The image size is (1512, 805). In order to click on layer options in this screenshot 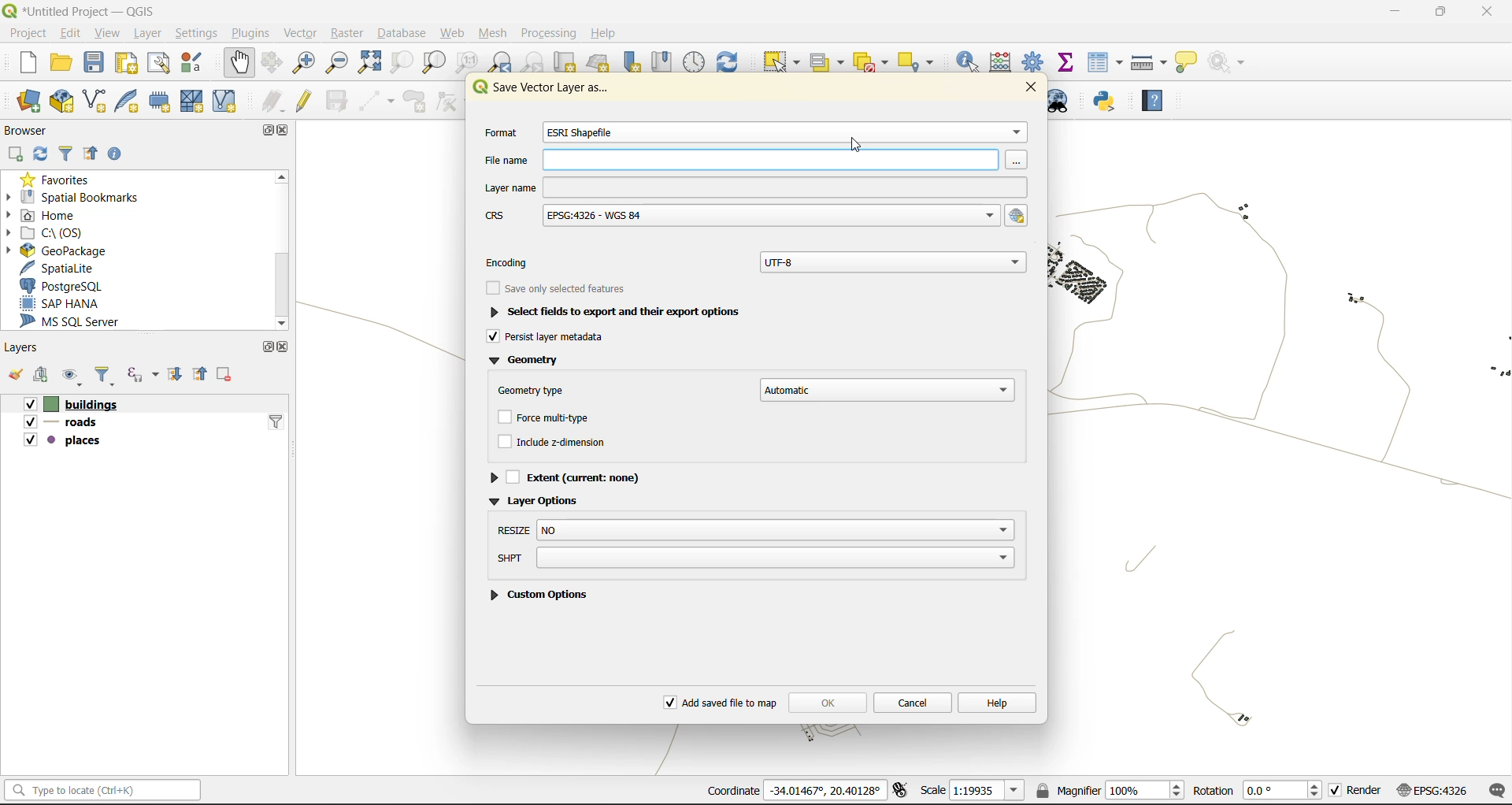, I will do `click(535, 503)`.